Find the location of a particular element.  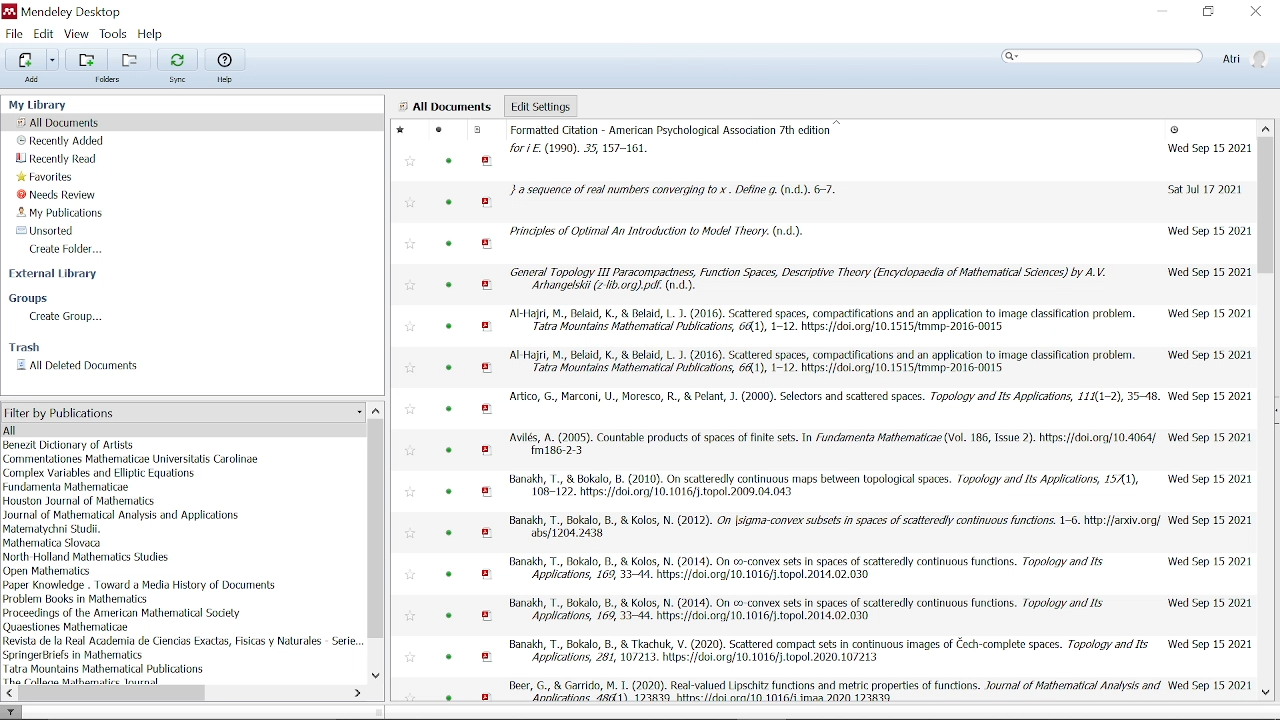

pdf is located at coordinates (489, 656).